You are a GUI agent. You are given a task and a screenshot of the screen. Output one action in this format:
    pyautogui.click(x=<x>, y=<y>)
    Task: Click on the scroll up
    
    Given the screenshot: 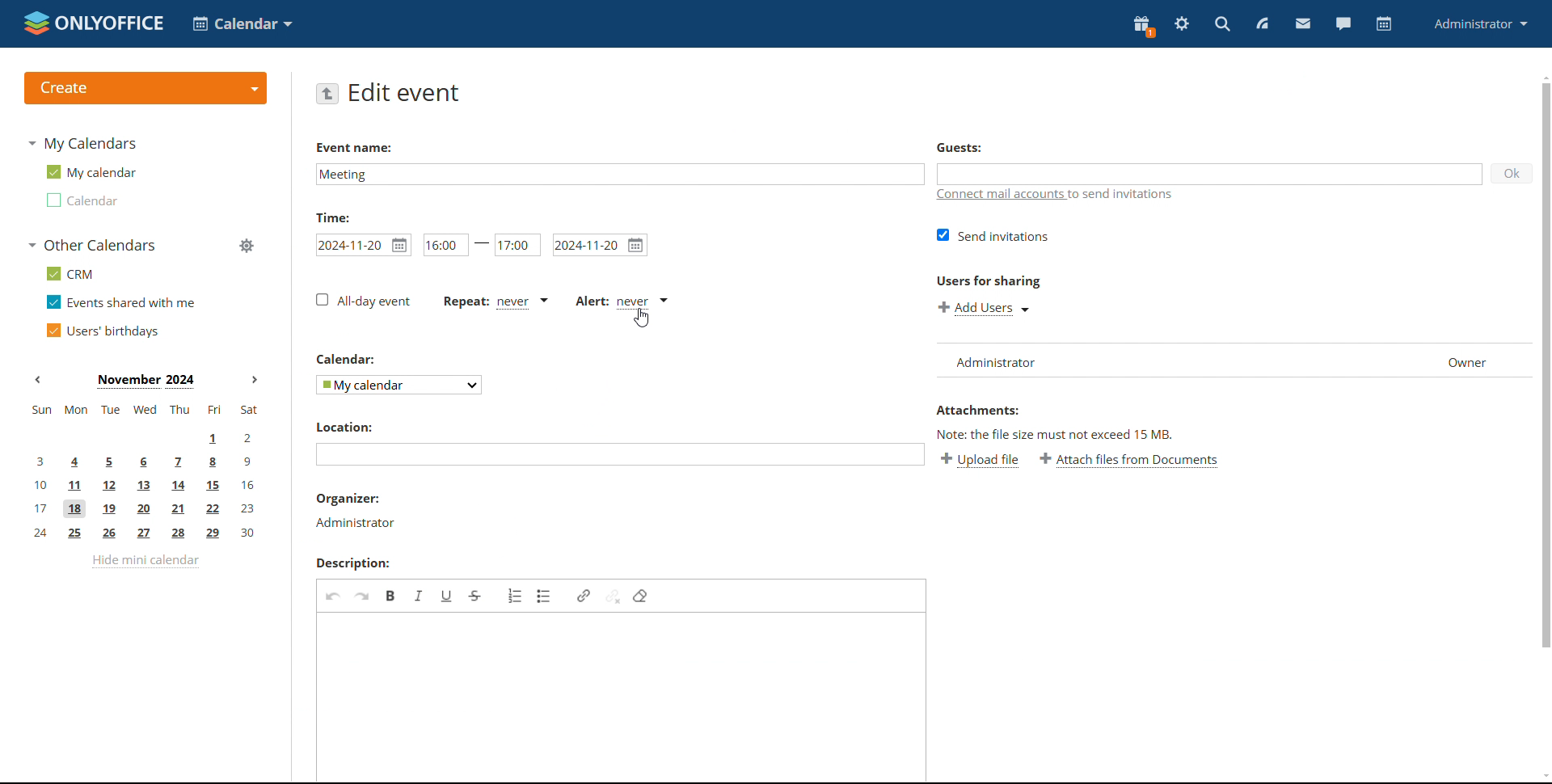 What is the action you would take?
    pyautogui.click(x=1542, y=75)
    